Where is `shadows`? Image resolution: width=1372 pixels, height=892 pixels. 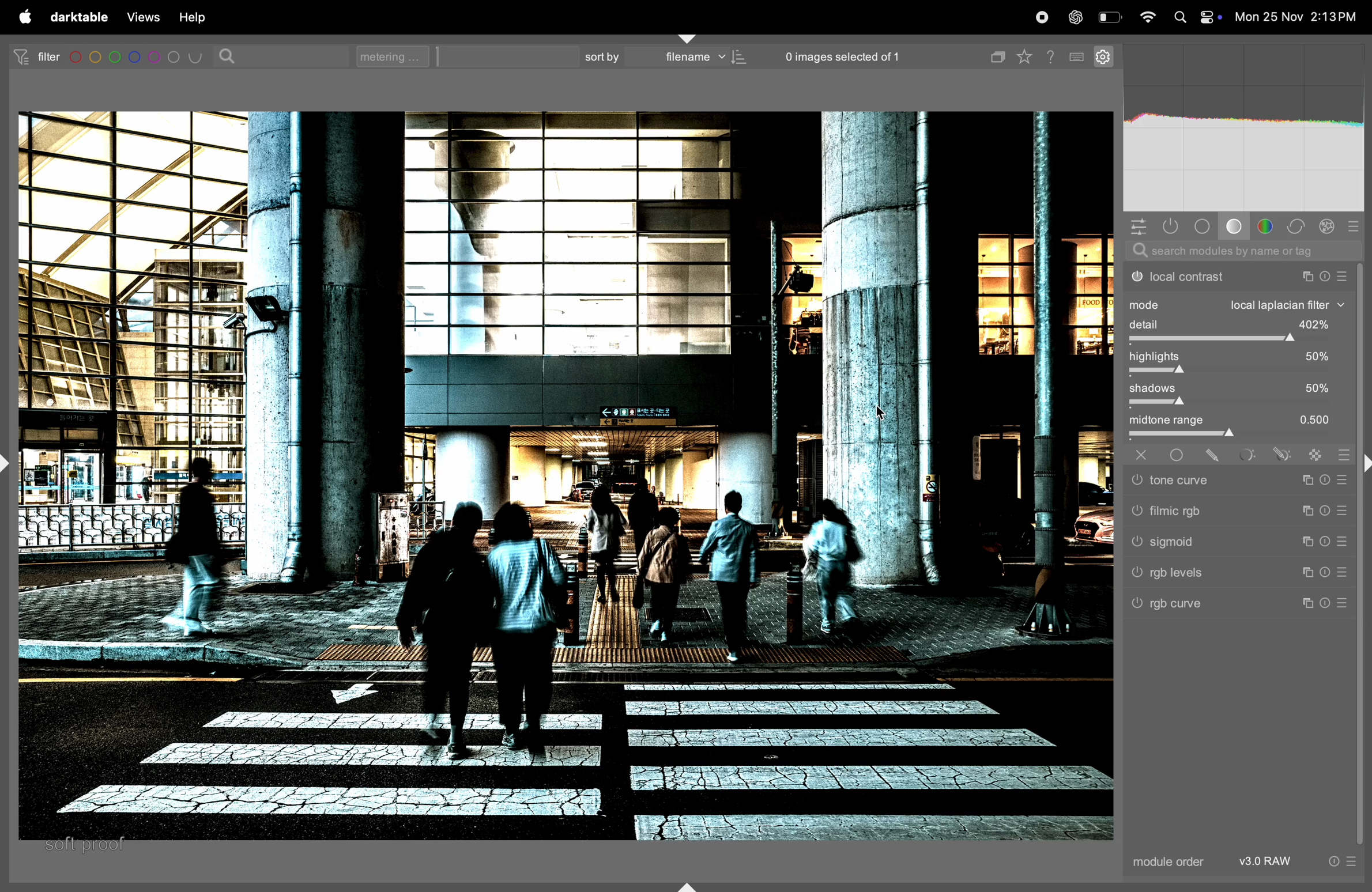 shadows is located at coordinates (1238, 388).